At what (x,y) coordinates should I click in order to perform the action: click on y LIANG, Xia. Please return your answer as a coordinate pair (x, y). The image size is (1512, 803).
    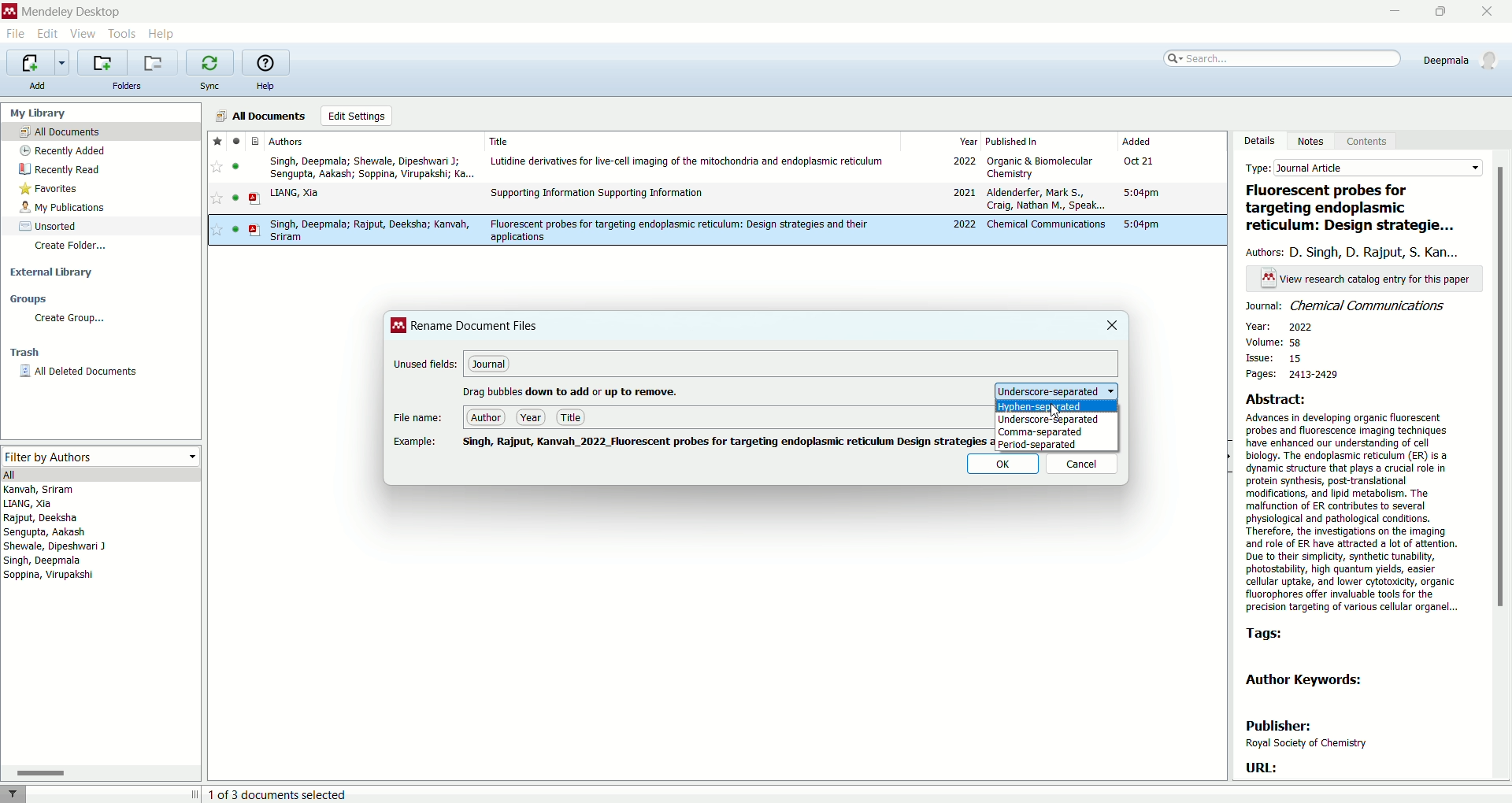
    Looking at the image, I should click on (306, 193).